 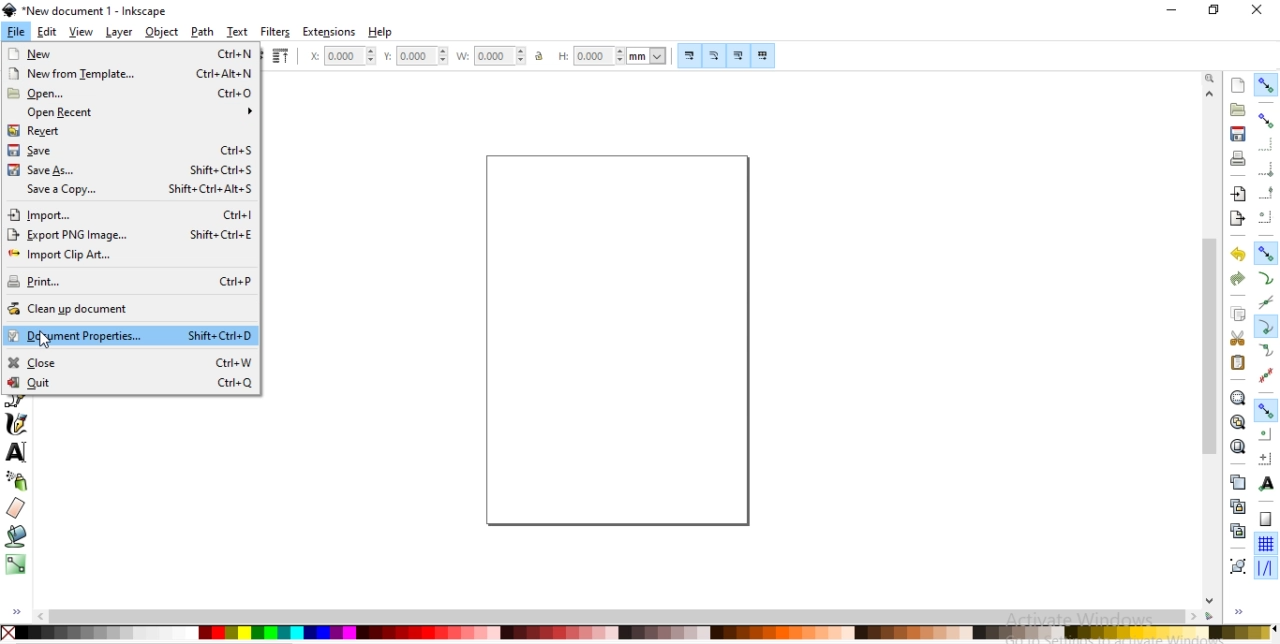 What do you see at coordinates (1235, 255) in the screenshot?
I see `undo` at bounding box center [1235, 255].